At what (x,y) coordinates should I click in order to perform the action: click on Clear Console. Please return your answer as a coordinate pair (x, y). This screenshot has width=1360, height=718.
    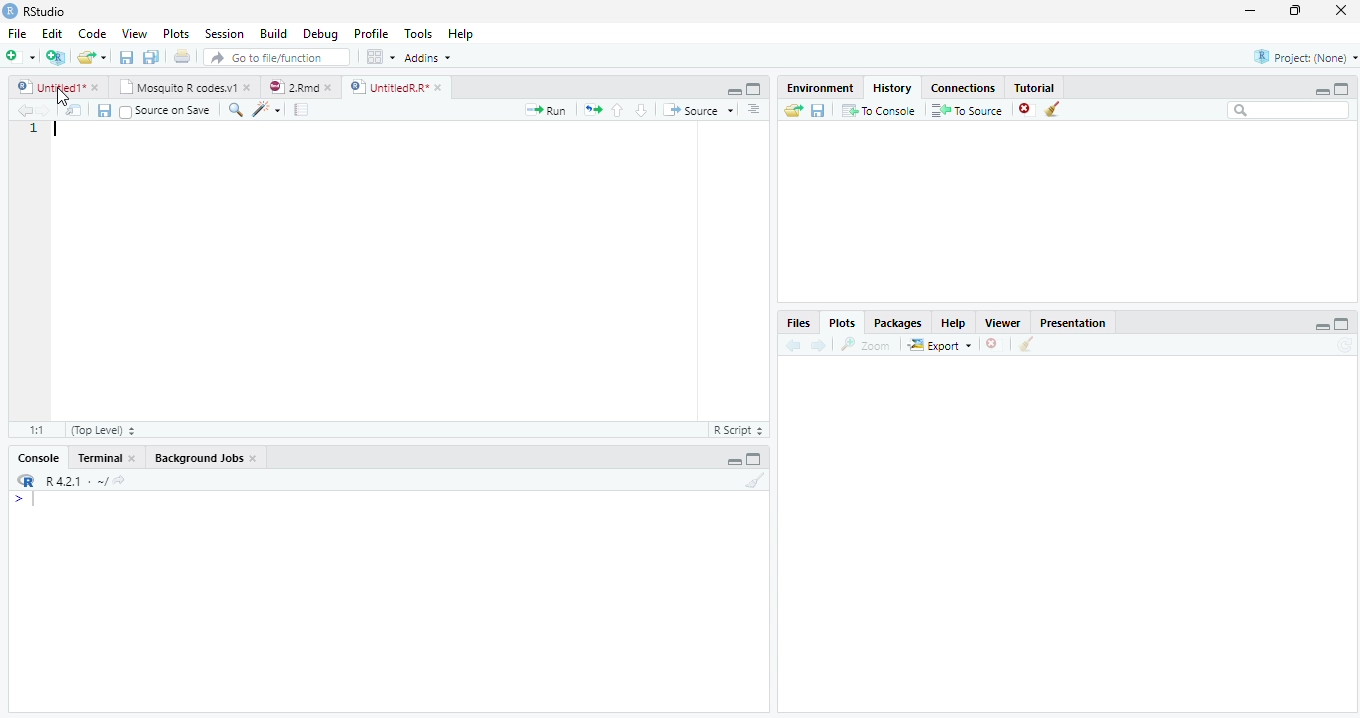
    Looking at the image, I should click on (1052, 108).